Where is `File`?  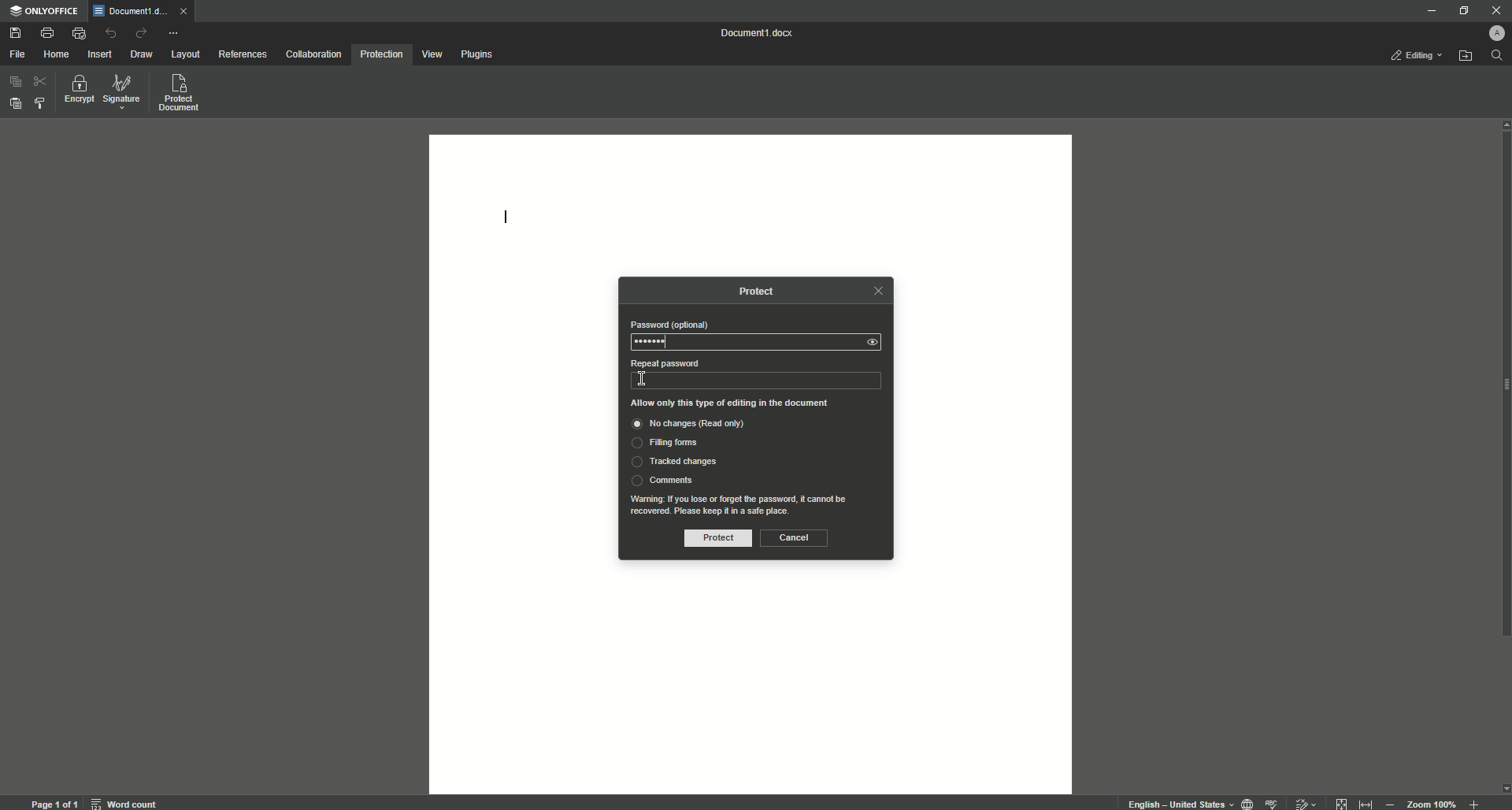
File is located at coordinates (17, 54).